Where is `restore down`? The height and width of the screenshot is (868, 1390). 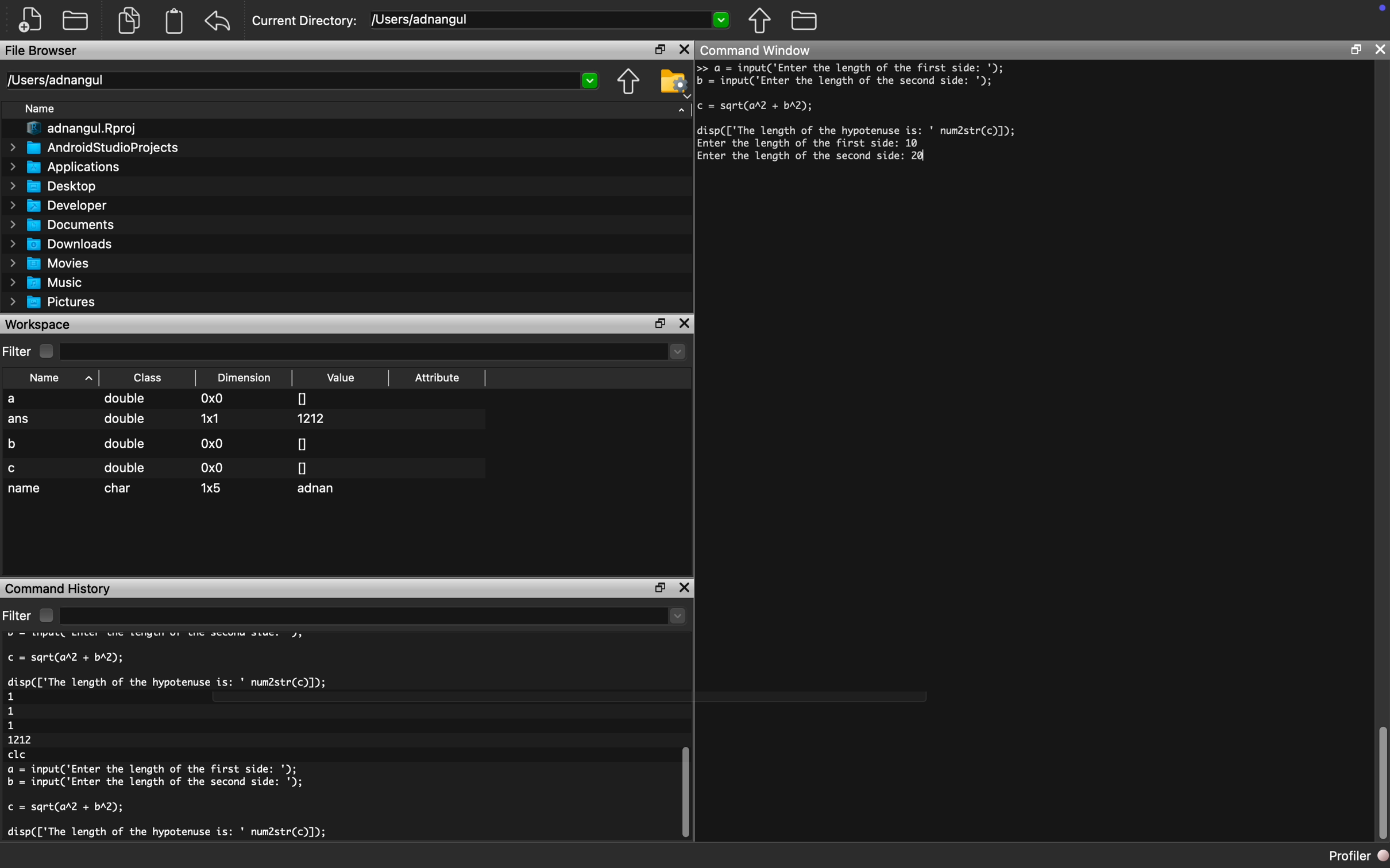 restore down is located at coordinates (1355, 52).